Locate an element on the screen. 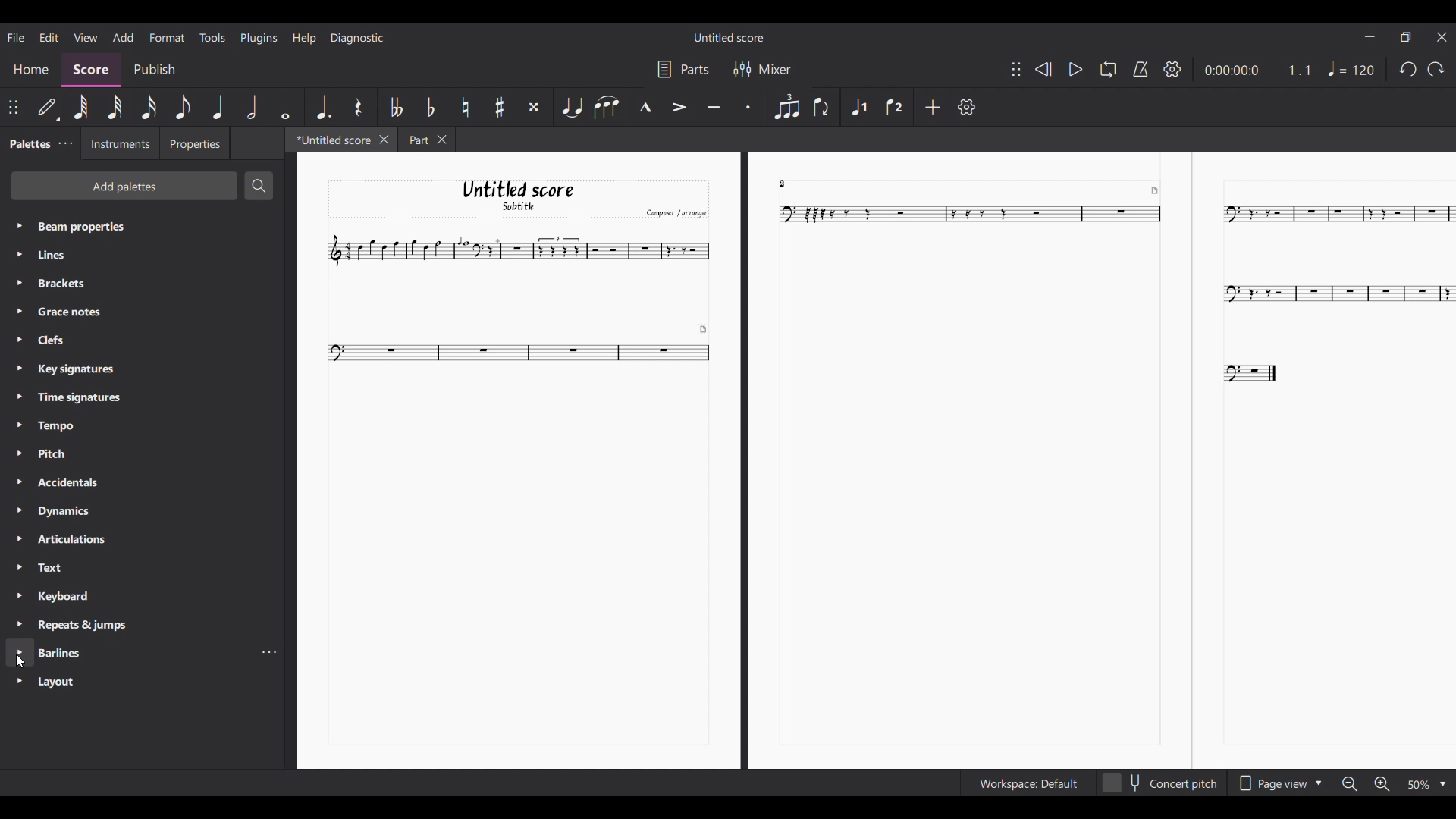  Toggle sharp is located at coordinates (499, 107).